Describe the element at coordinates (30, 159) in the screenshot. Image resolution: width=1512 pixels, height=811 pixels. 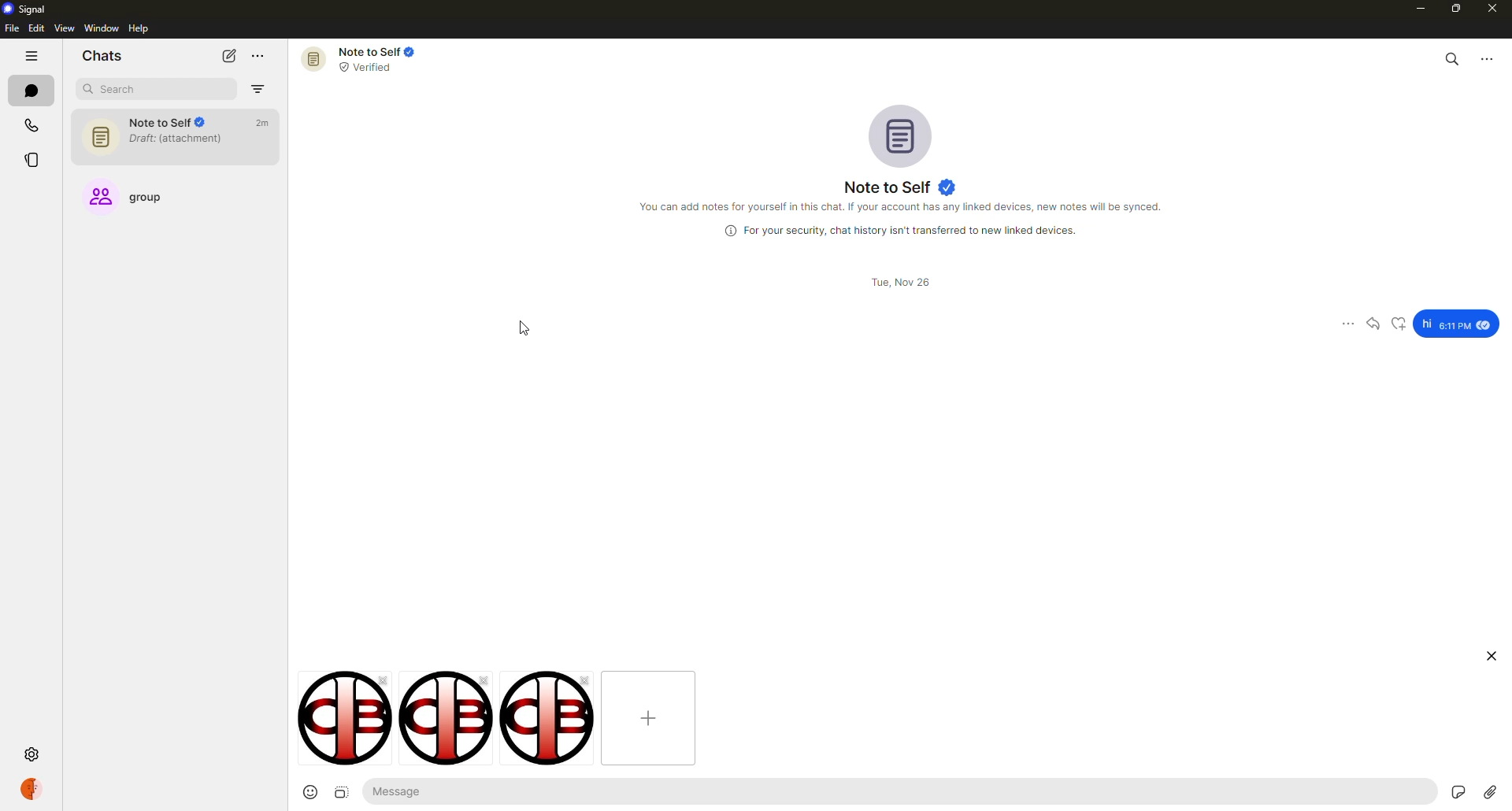
I see `stories` at that location.